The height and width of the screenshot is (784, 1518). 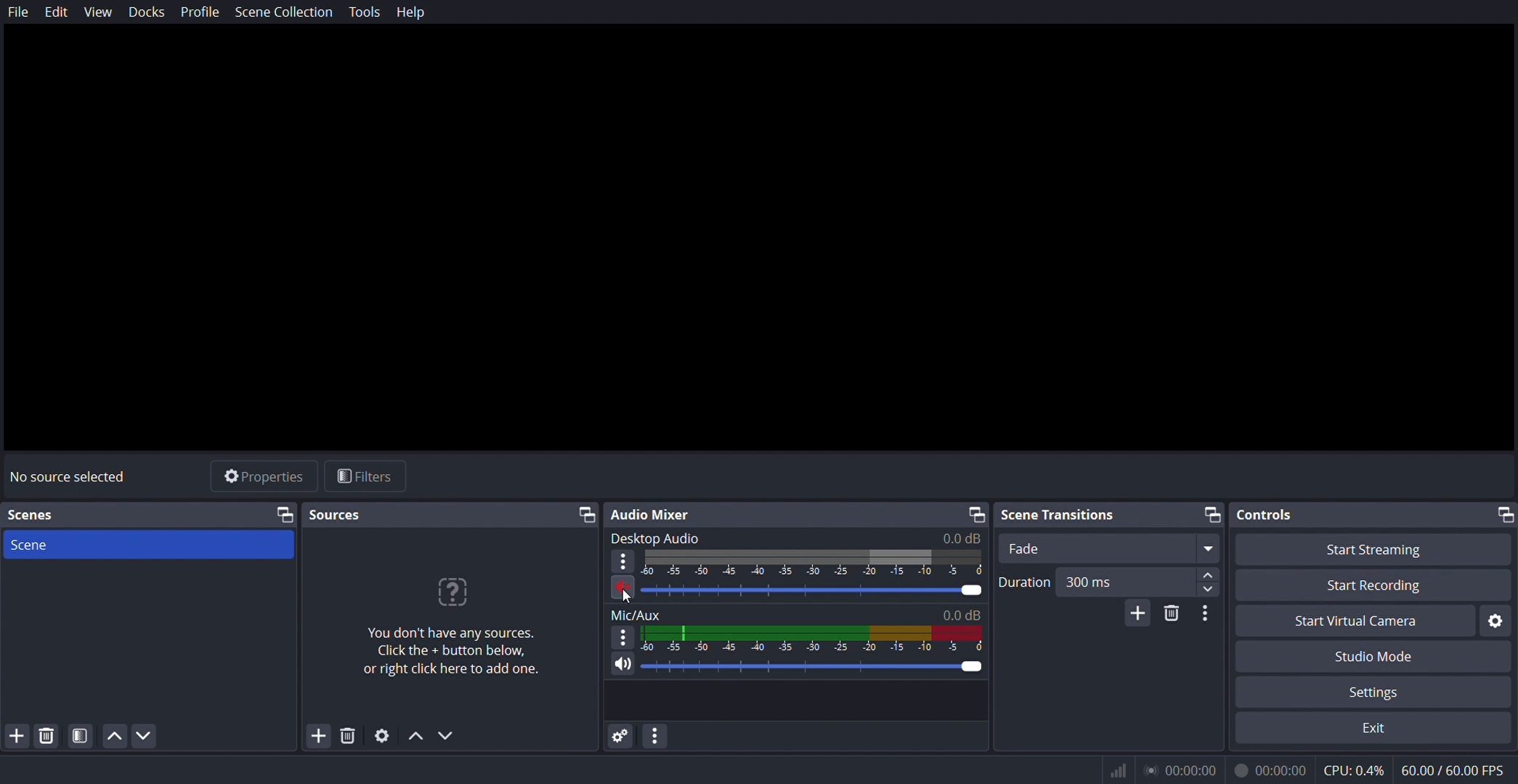 What do you see at coordinates (349, 734) in the screenshot?
I see `delete sources` at bounding box center [349, 734].